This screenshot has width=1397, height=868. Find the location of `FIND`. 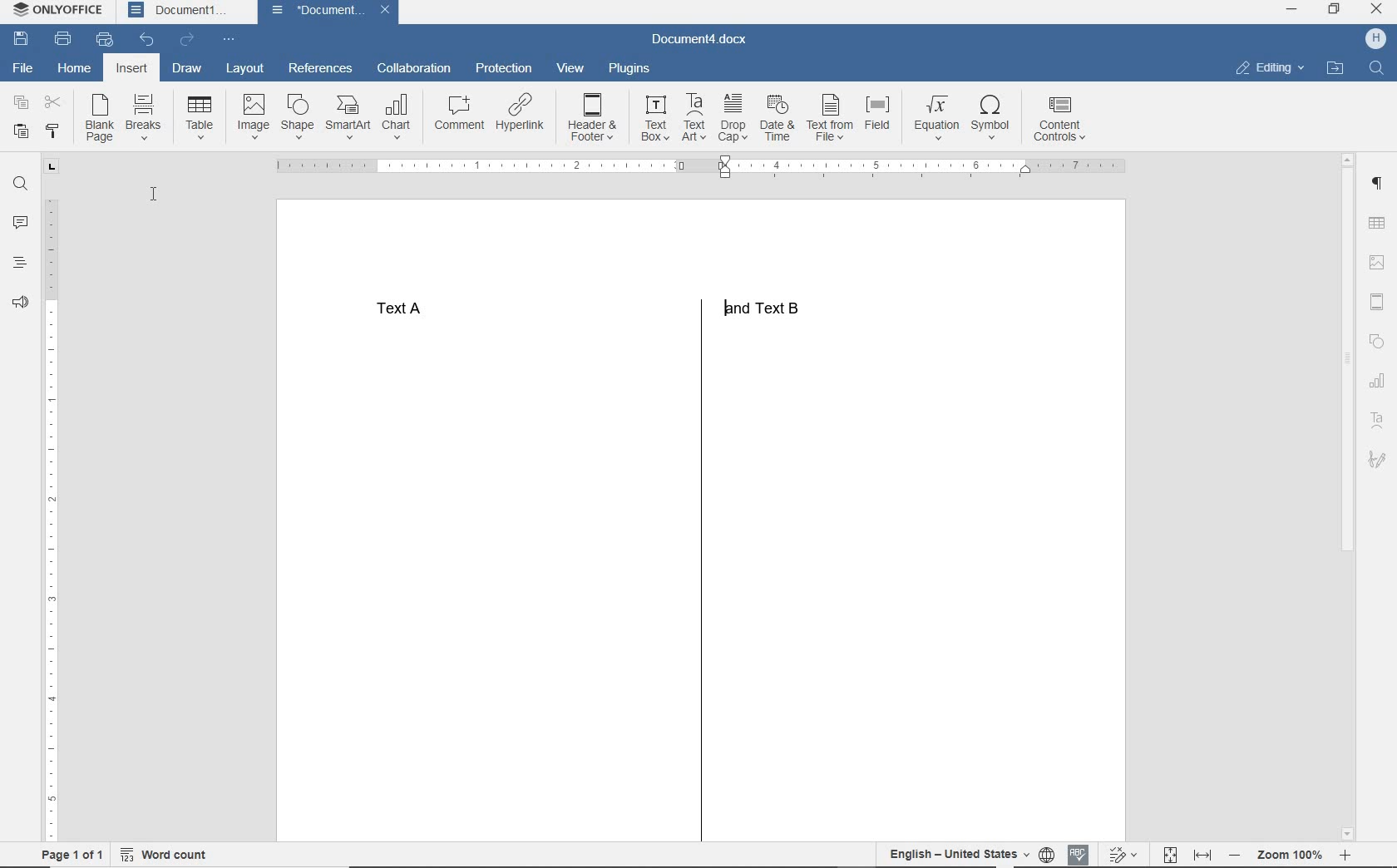

FIND is located at coordinates (18, 184).